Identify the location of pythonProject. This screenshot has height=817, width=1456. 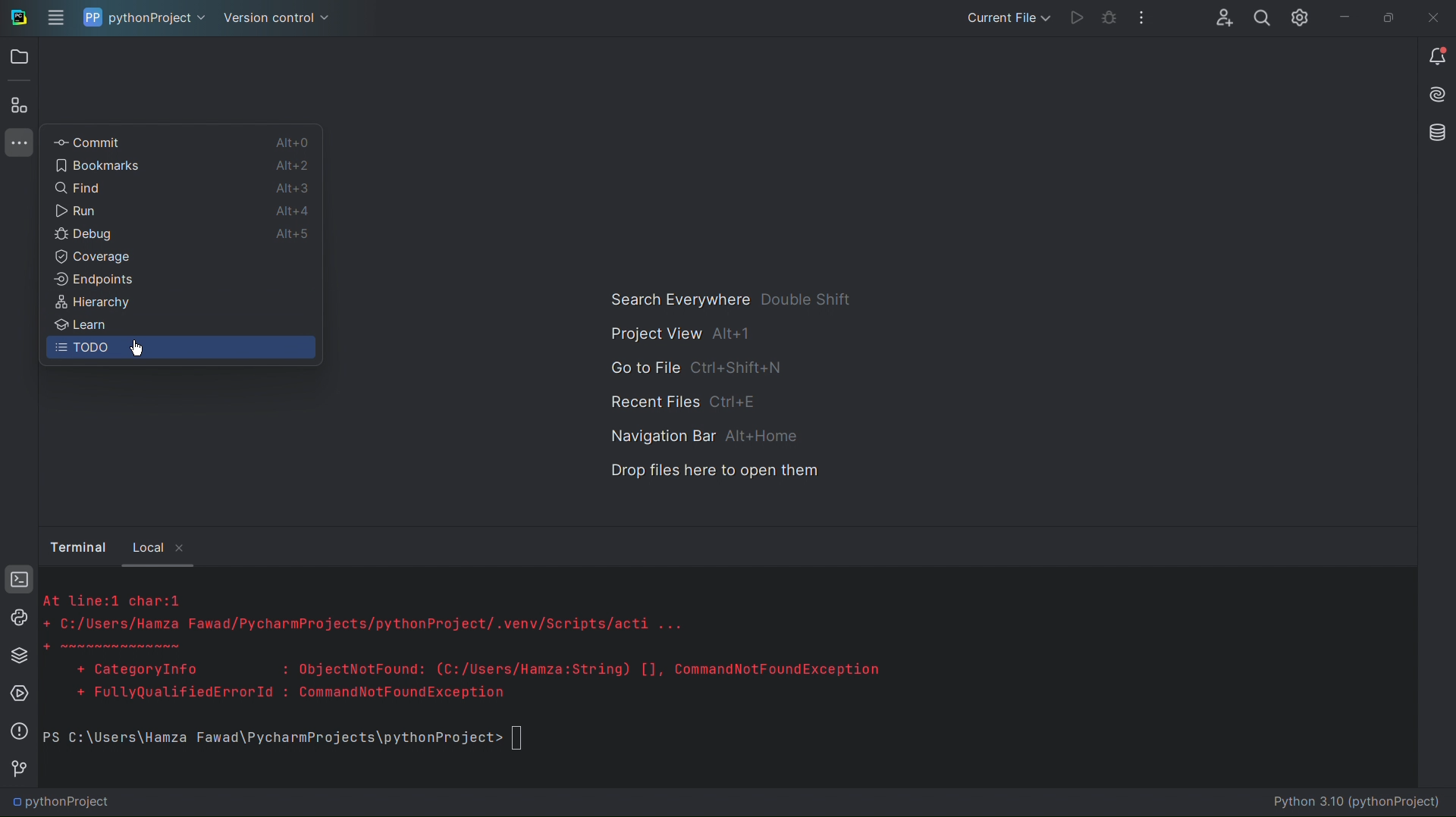
(143, 17).